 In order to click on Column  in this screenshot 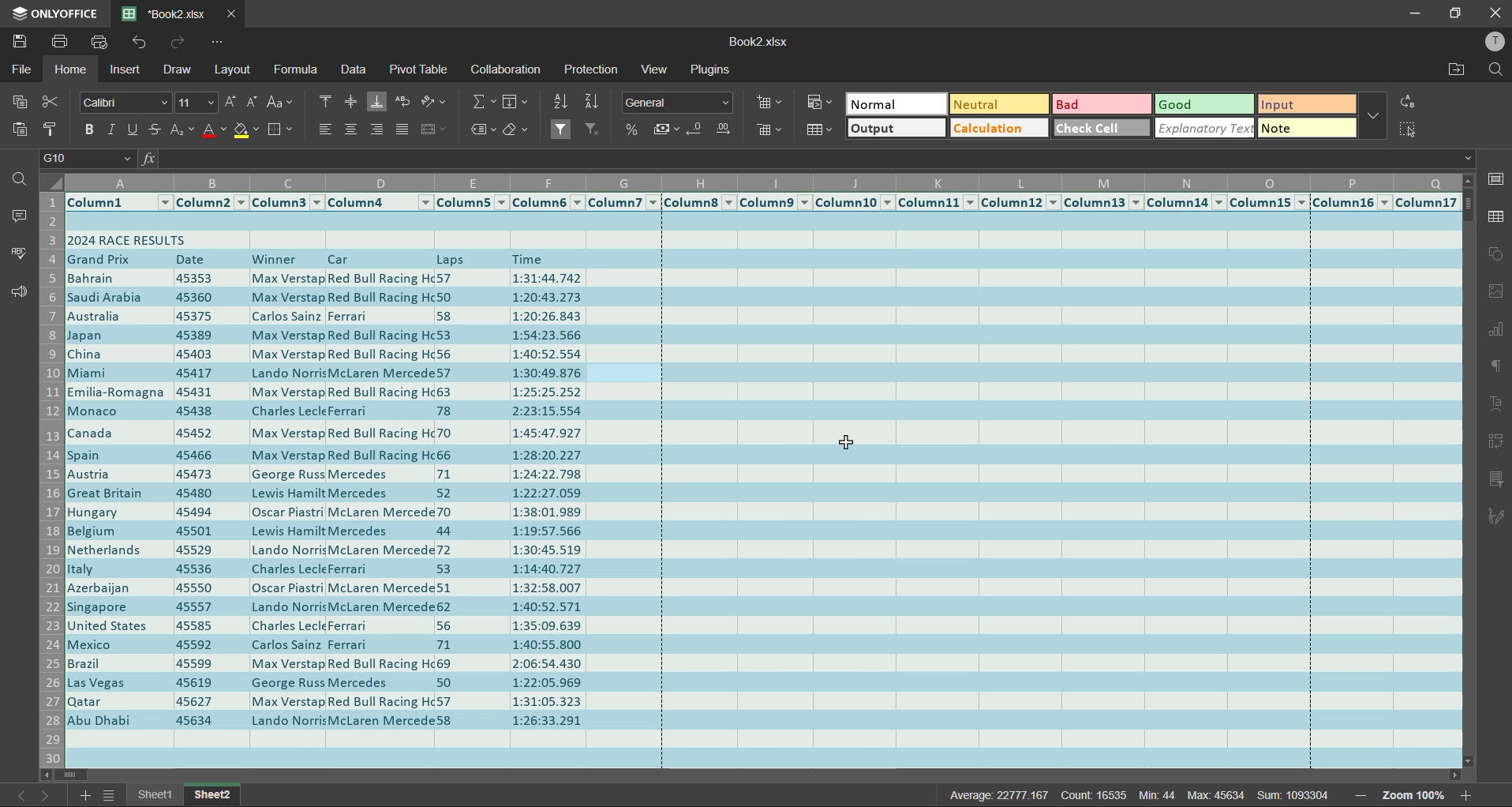, I will do `click(119, 202)`.